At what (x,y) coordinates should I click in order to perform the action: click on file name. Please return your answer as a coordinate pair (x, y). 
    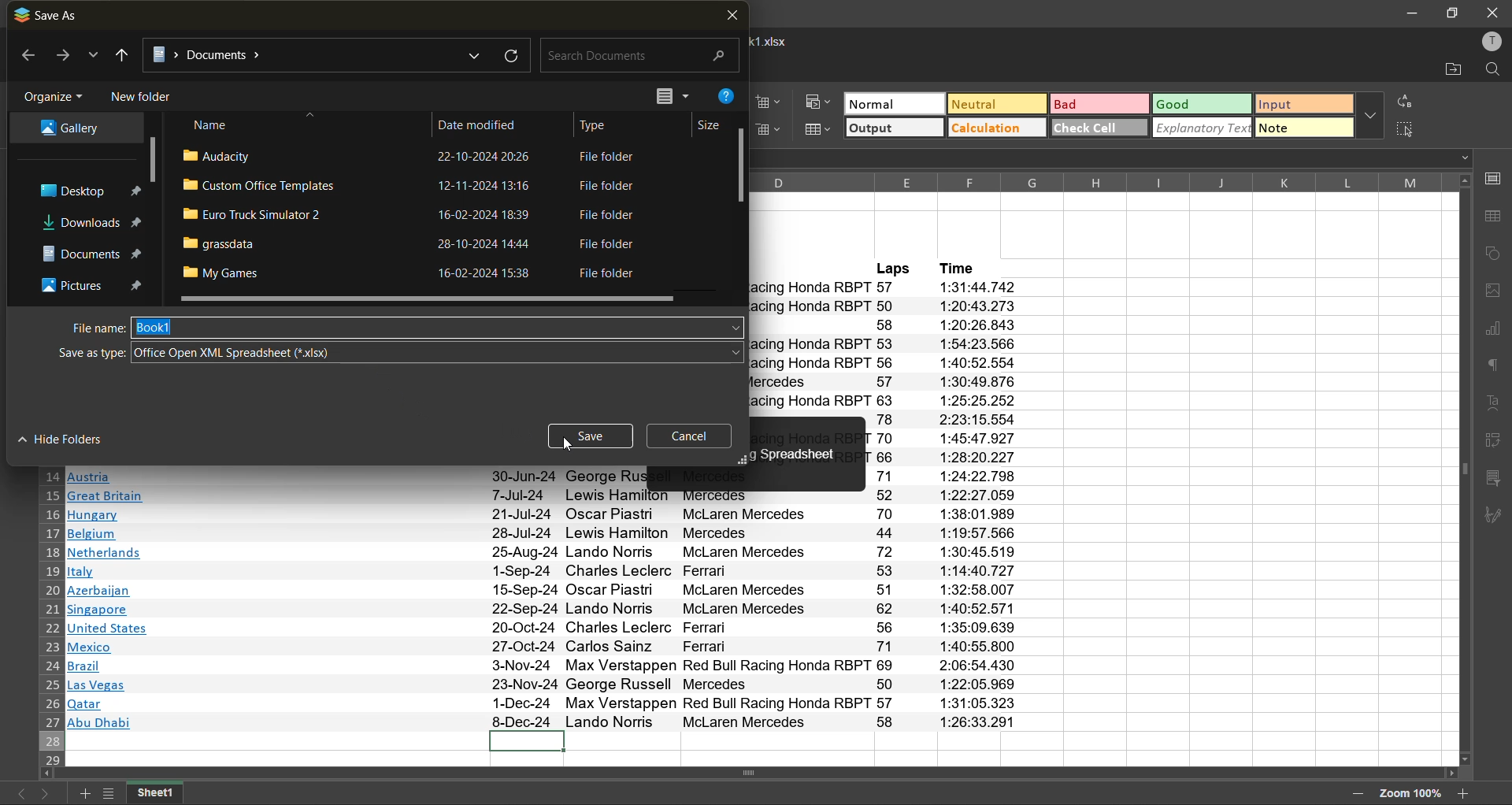
    Looking at the image, I should click on (439, 328).